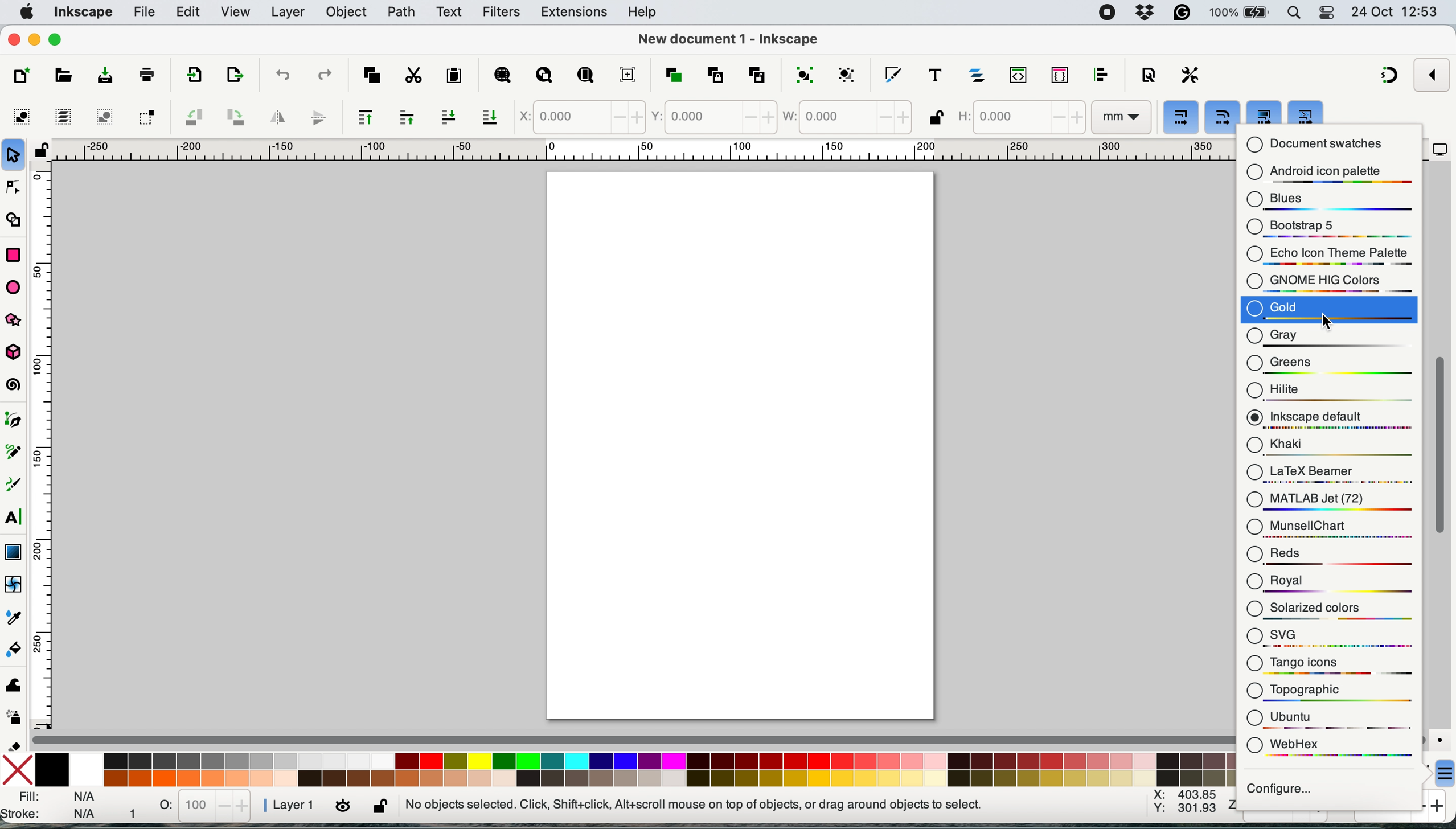 The image size is (1456, 829). Describe the element at coordinates (642, 13) in the screenshot. I see `help` at that location.